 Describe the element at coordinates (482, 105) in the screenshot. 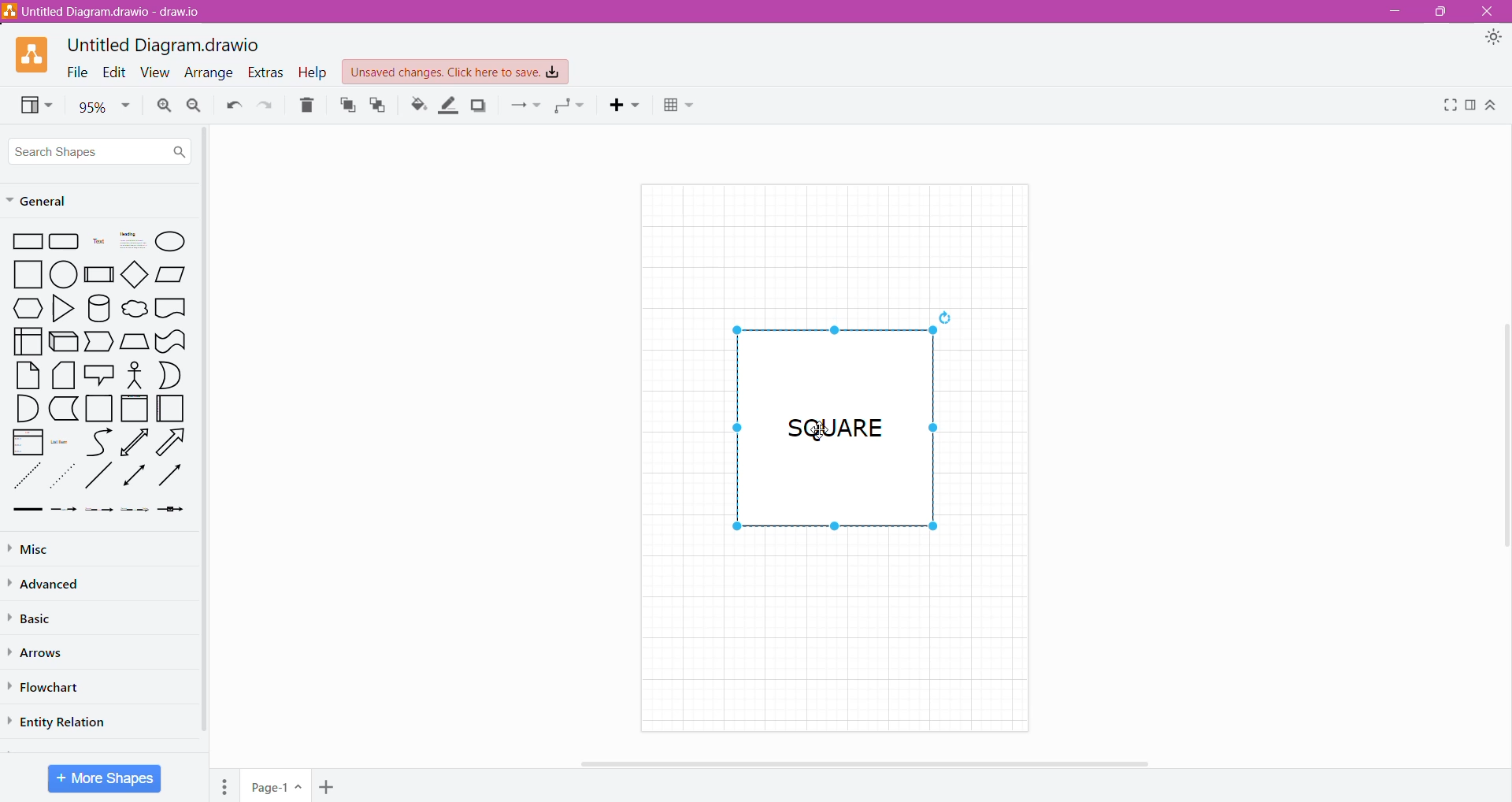

I see `Shadow` at that location.